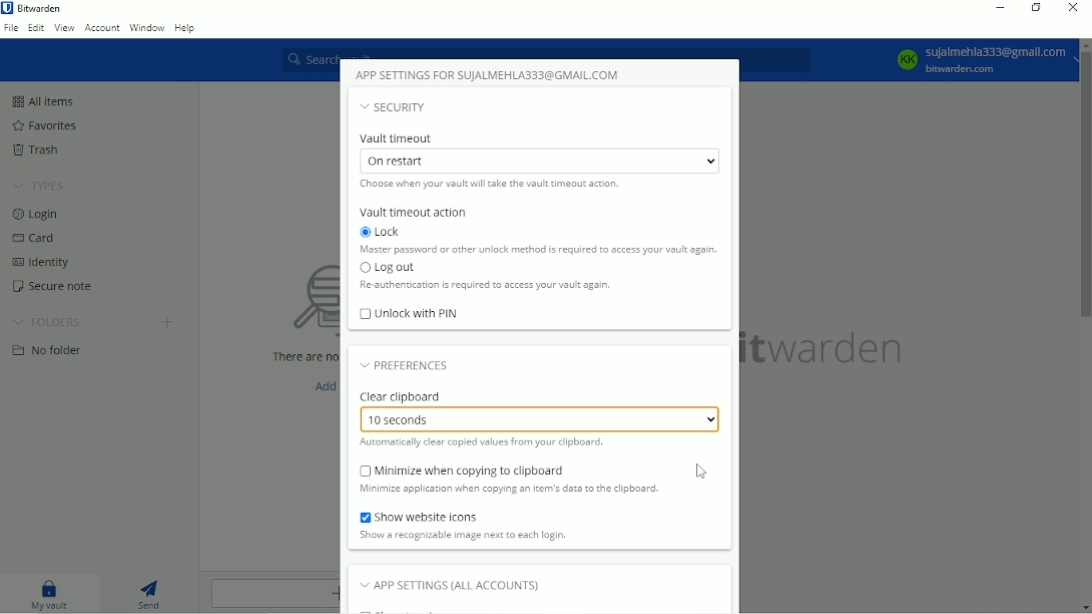  What do you see at coordinates (44, 263) in the screenshot?
I see `Identity` at bounding box center [44, 263].